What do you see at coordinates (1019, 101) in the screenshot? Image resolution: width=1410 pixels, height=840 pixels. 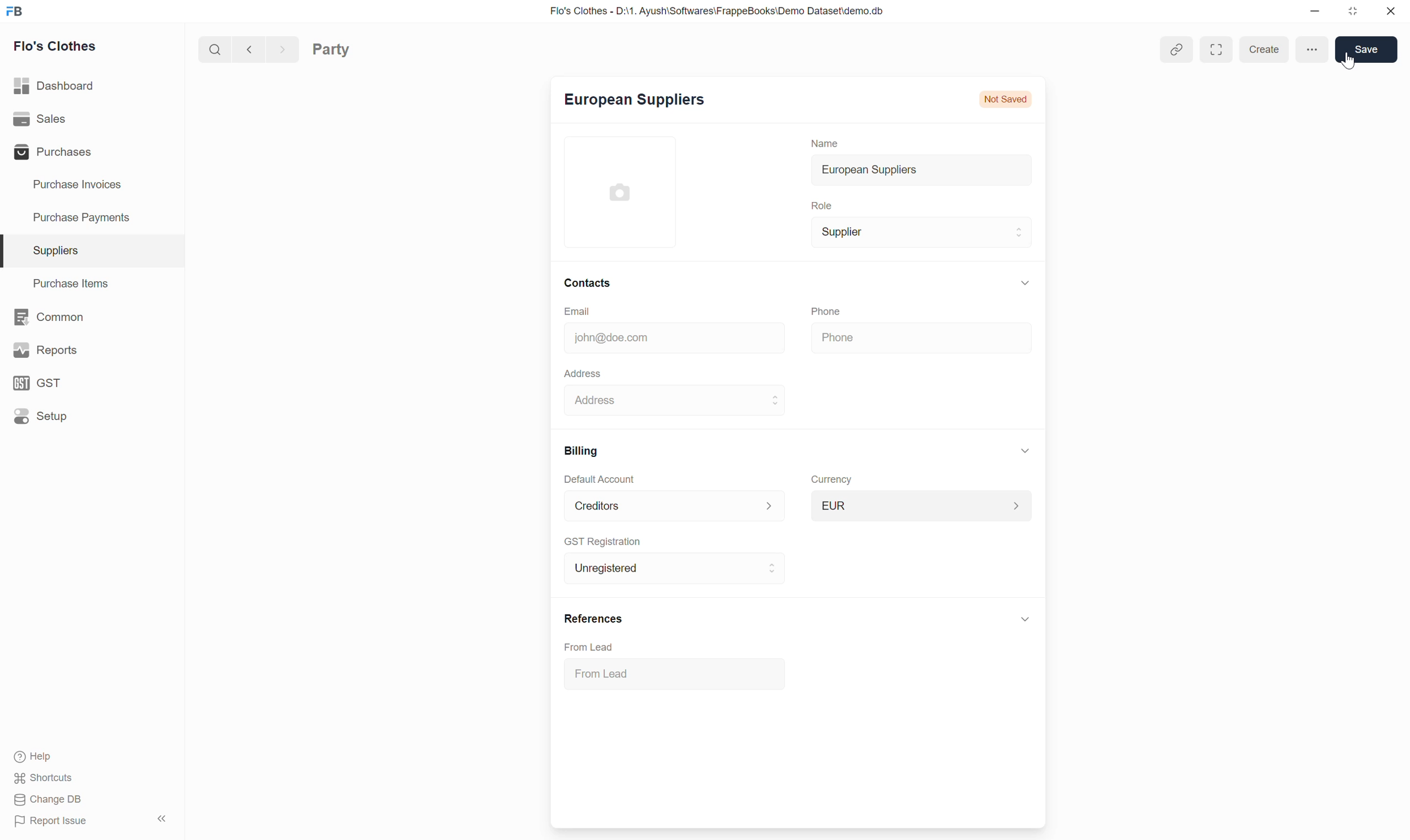 I see `Saved` at bounding box center [1019, 101].